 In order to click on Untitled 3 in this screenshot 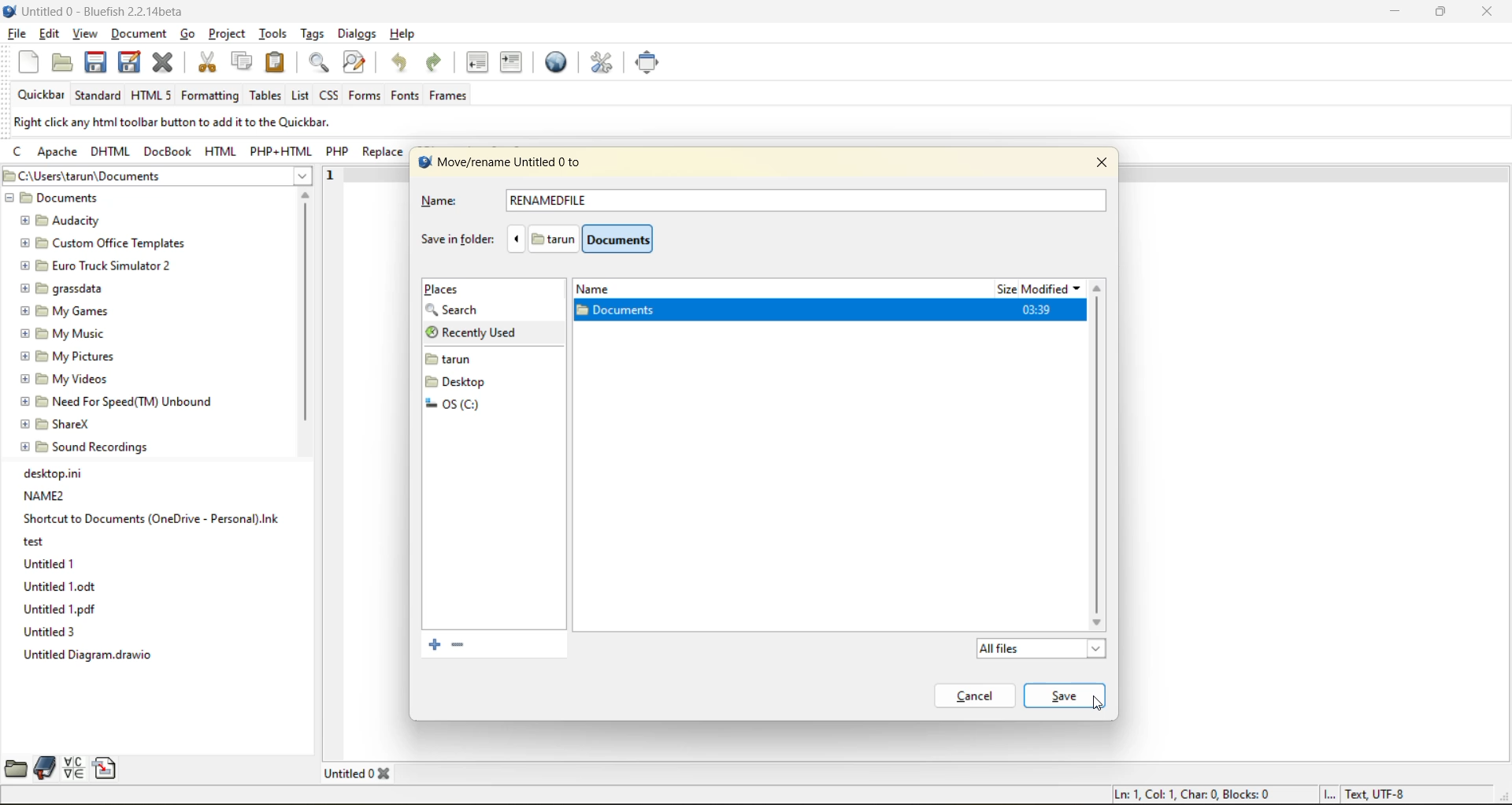, I will do `click(47, 632)`.